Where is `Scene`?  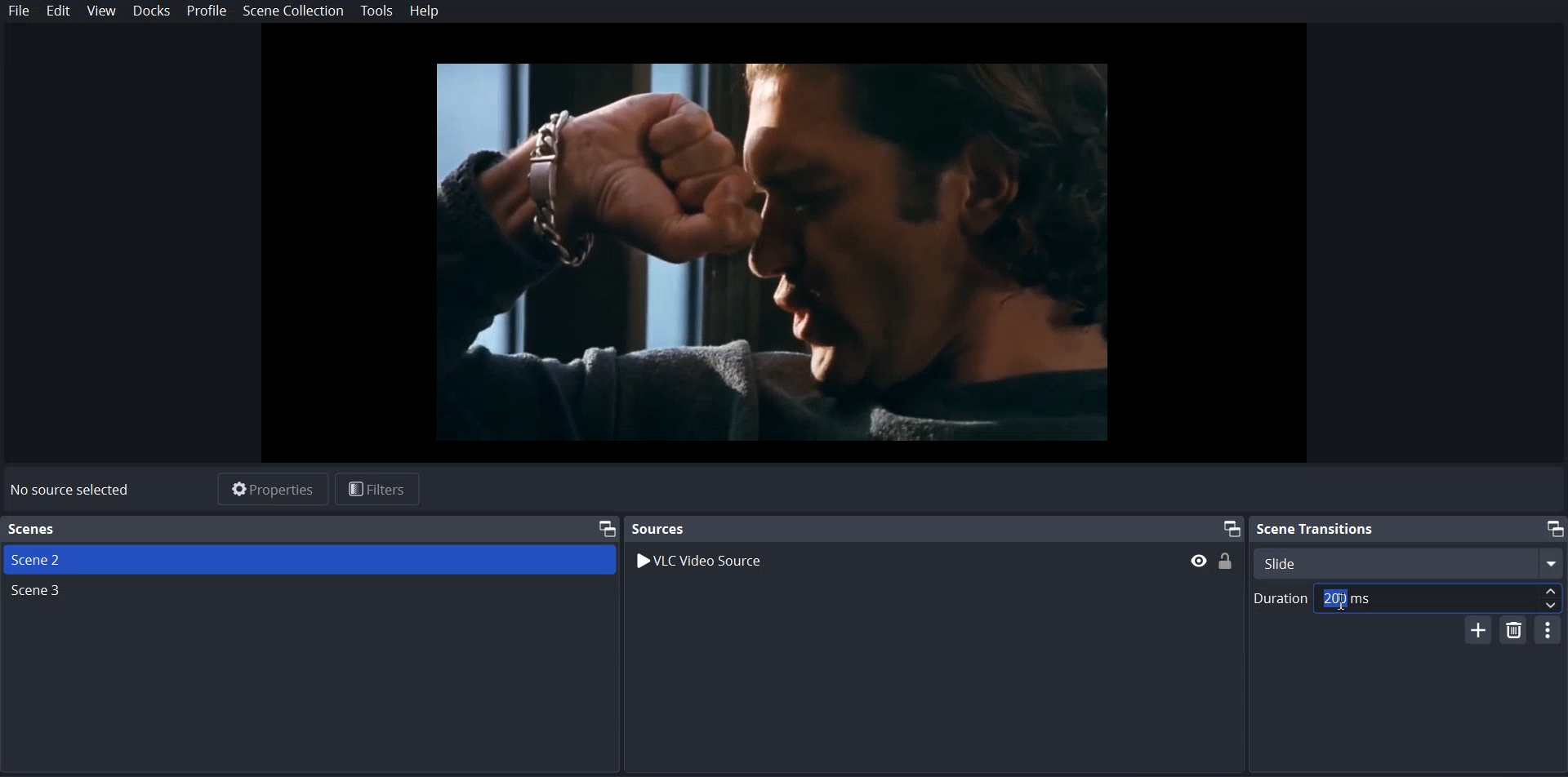
Scene is located at coordinates (40, 591).